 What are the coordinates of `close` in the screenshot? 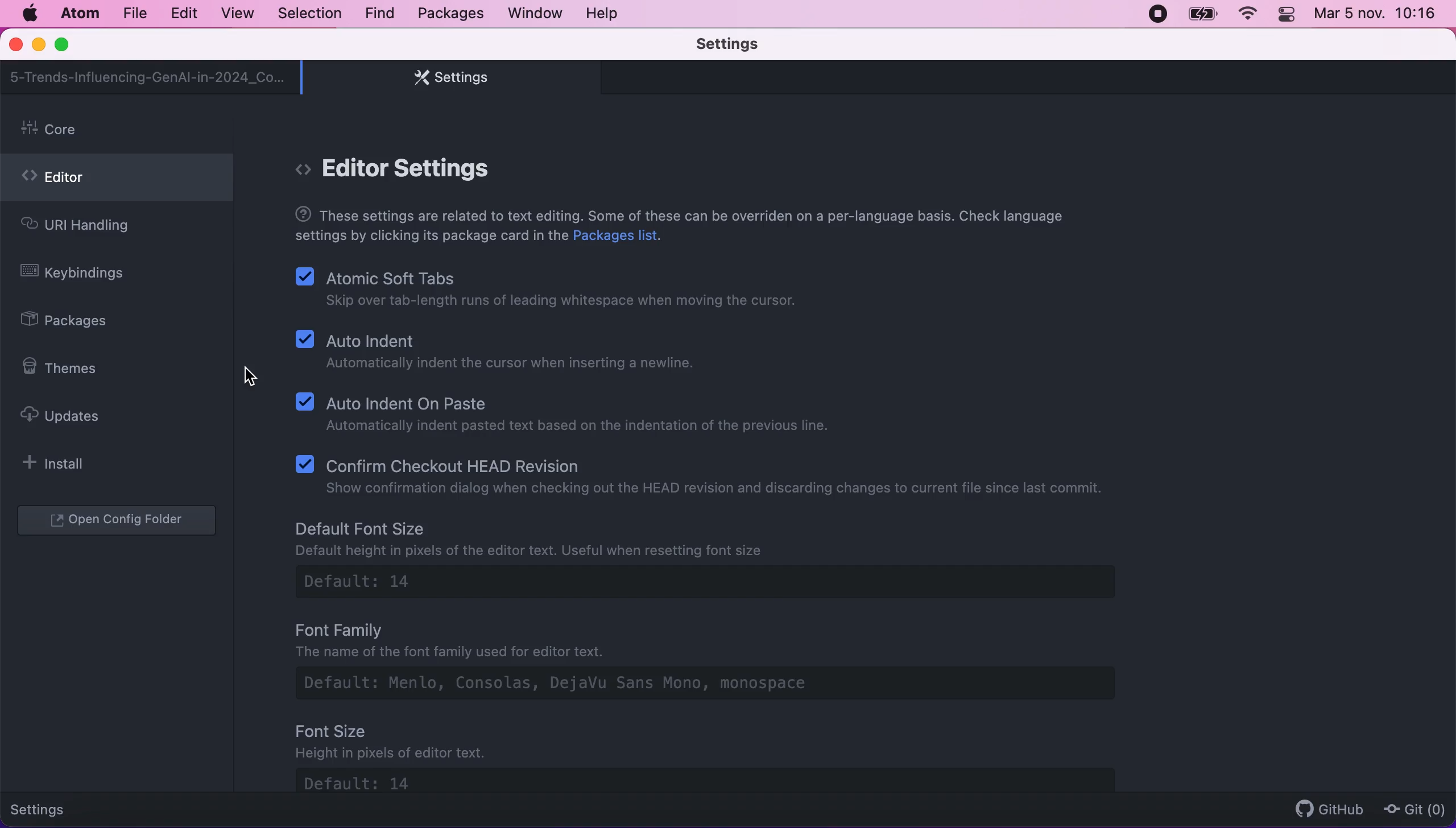 It's located at (17, 45).